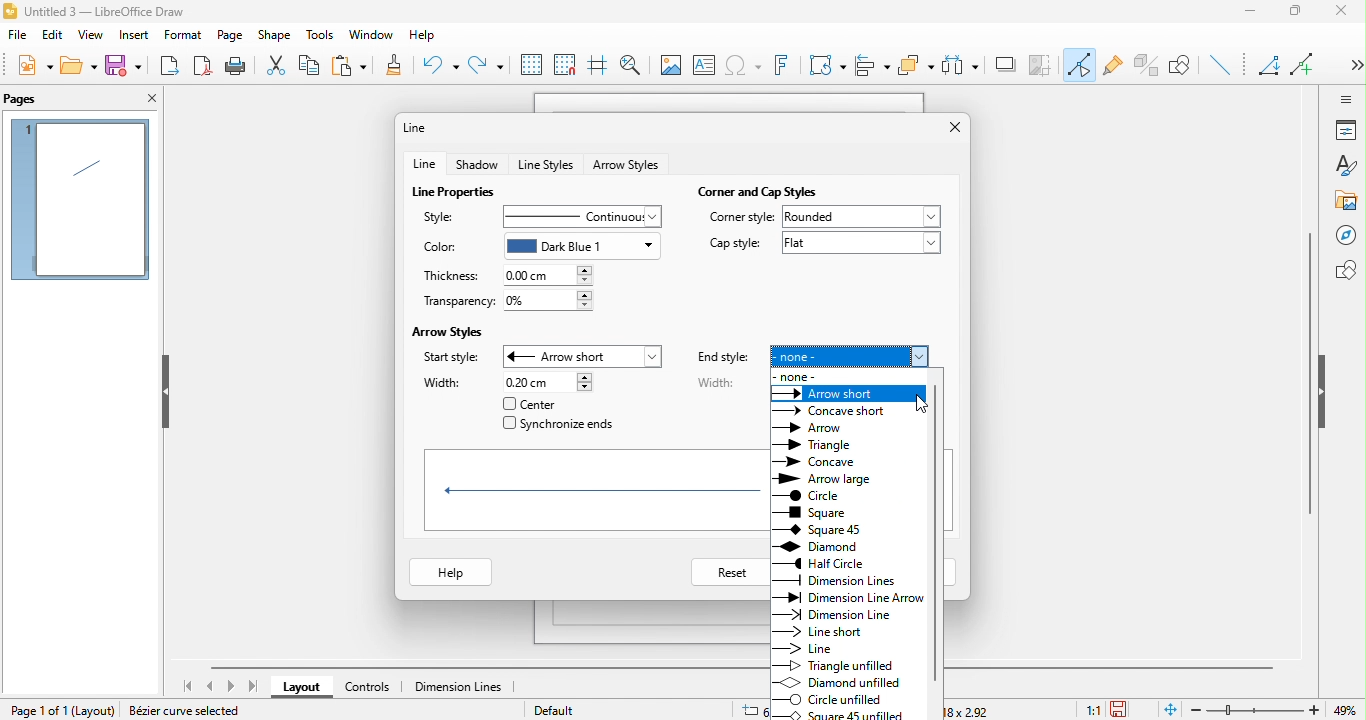 The height and width of the screenshot is (720, 1366). I want to click on font work text, so click(786, 69).